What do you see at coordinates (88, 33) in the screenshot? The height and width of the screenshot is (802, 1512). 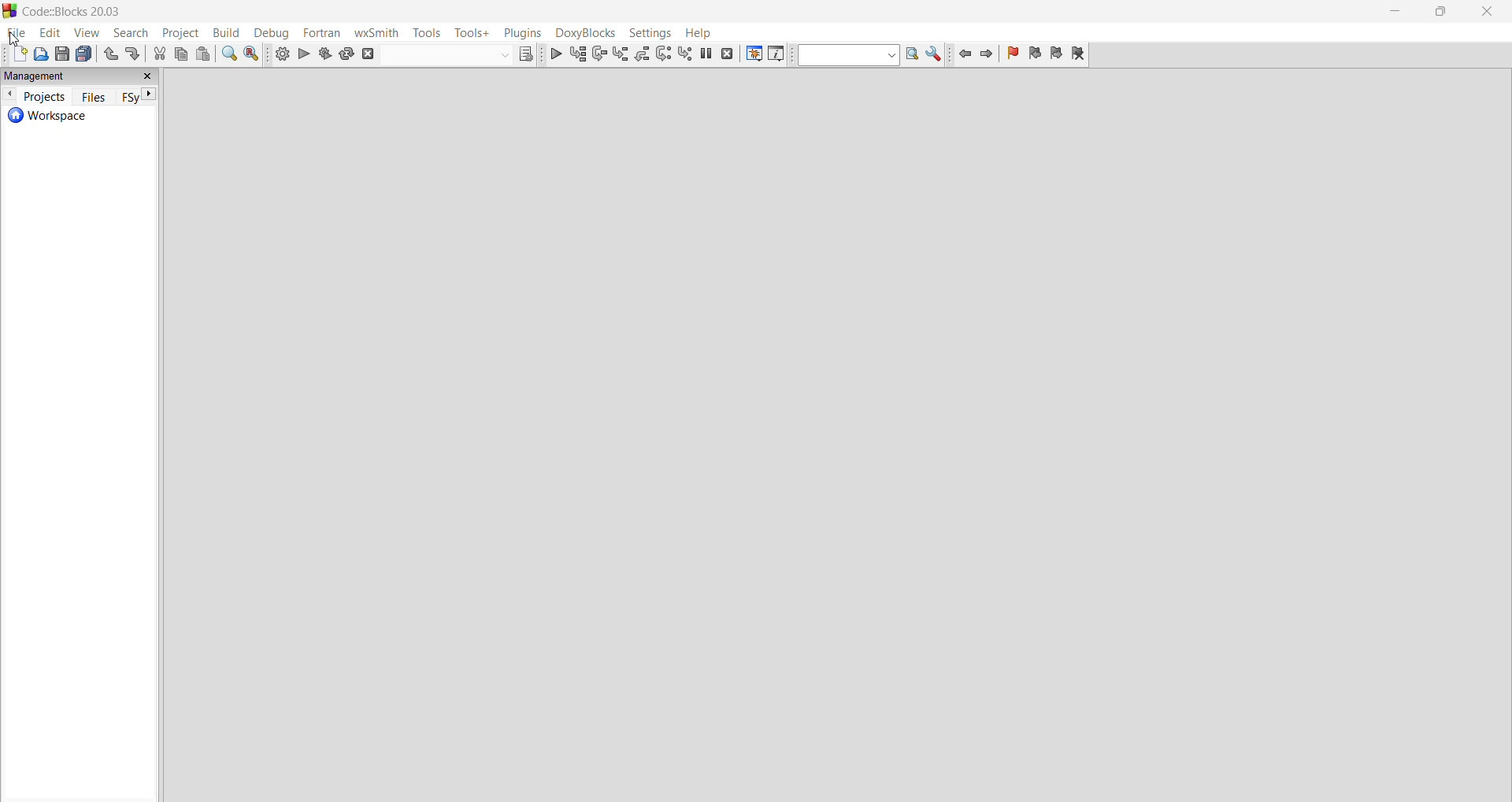 I see `view` at bounding box center [88, 33].